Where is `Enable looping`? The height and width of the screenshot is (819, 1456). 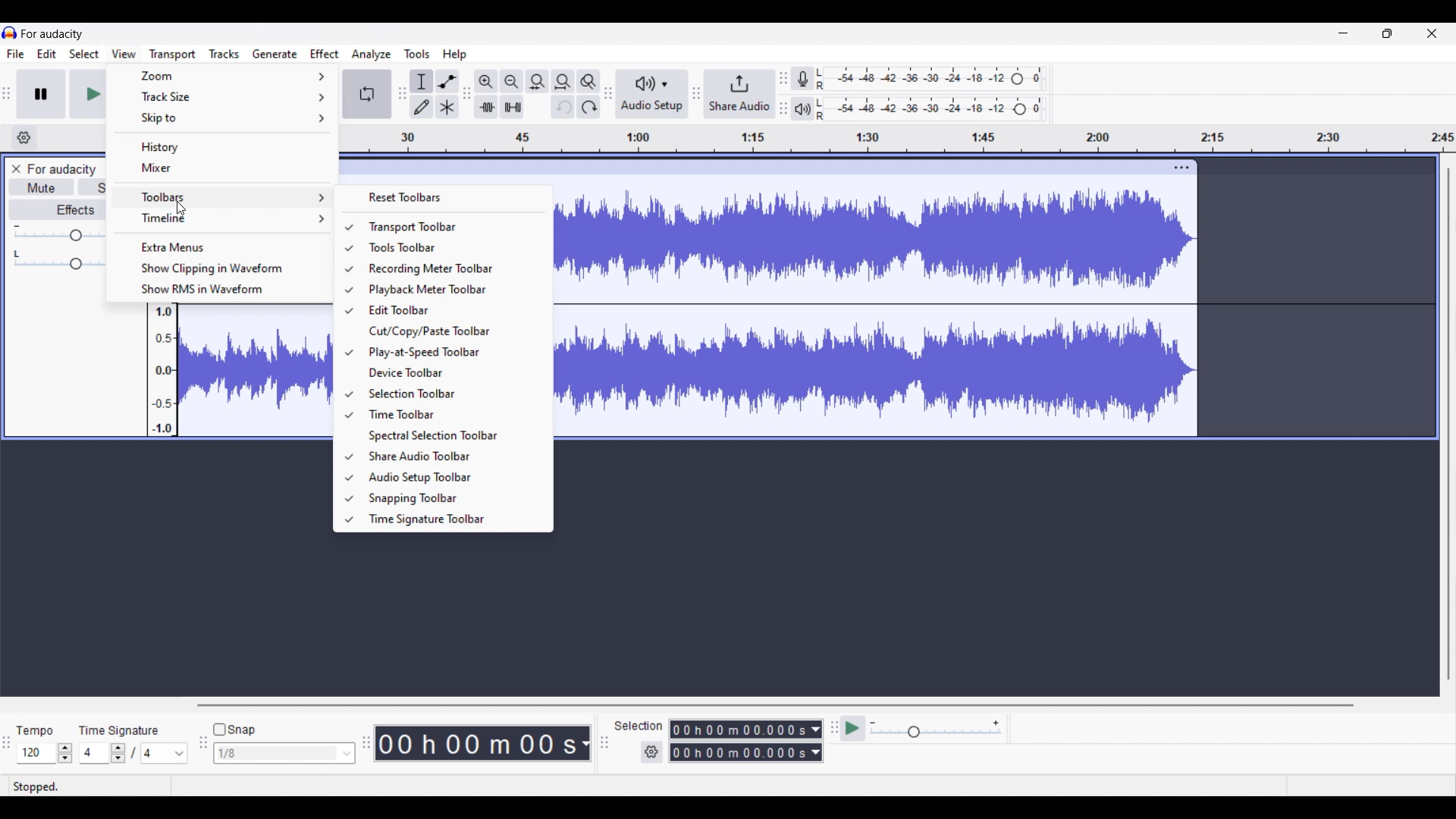 Enable looping is located at coordinates (367, 94).